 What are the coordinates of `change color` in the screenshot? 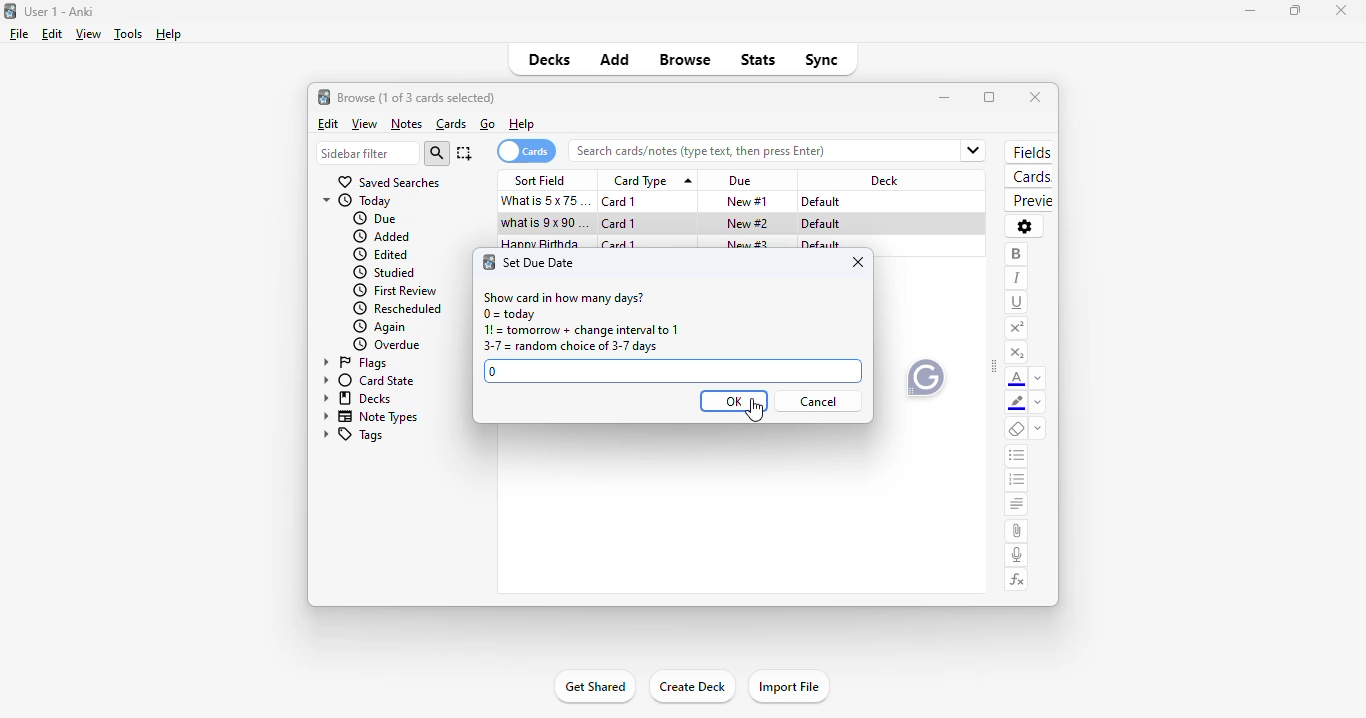 It's located at (1040, 378).